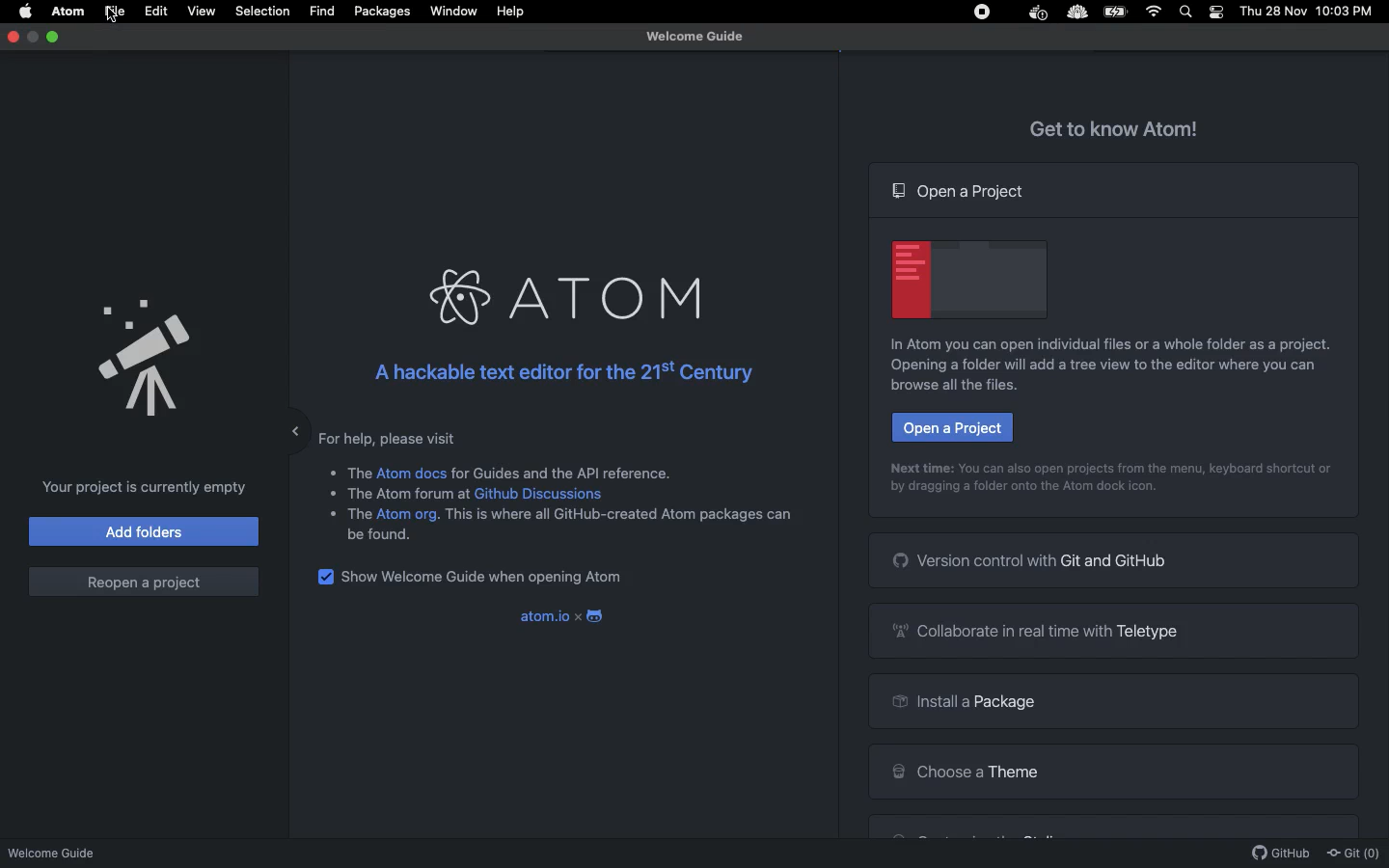 This screenshot has height=868, width=1389. What do you see at coordinates (1274, 12) in the screenshot?
I see `Date` at bounding box center [1274, 12].